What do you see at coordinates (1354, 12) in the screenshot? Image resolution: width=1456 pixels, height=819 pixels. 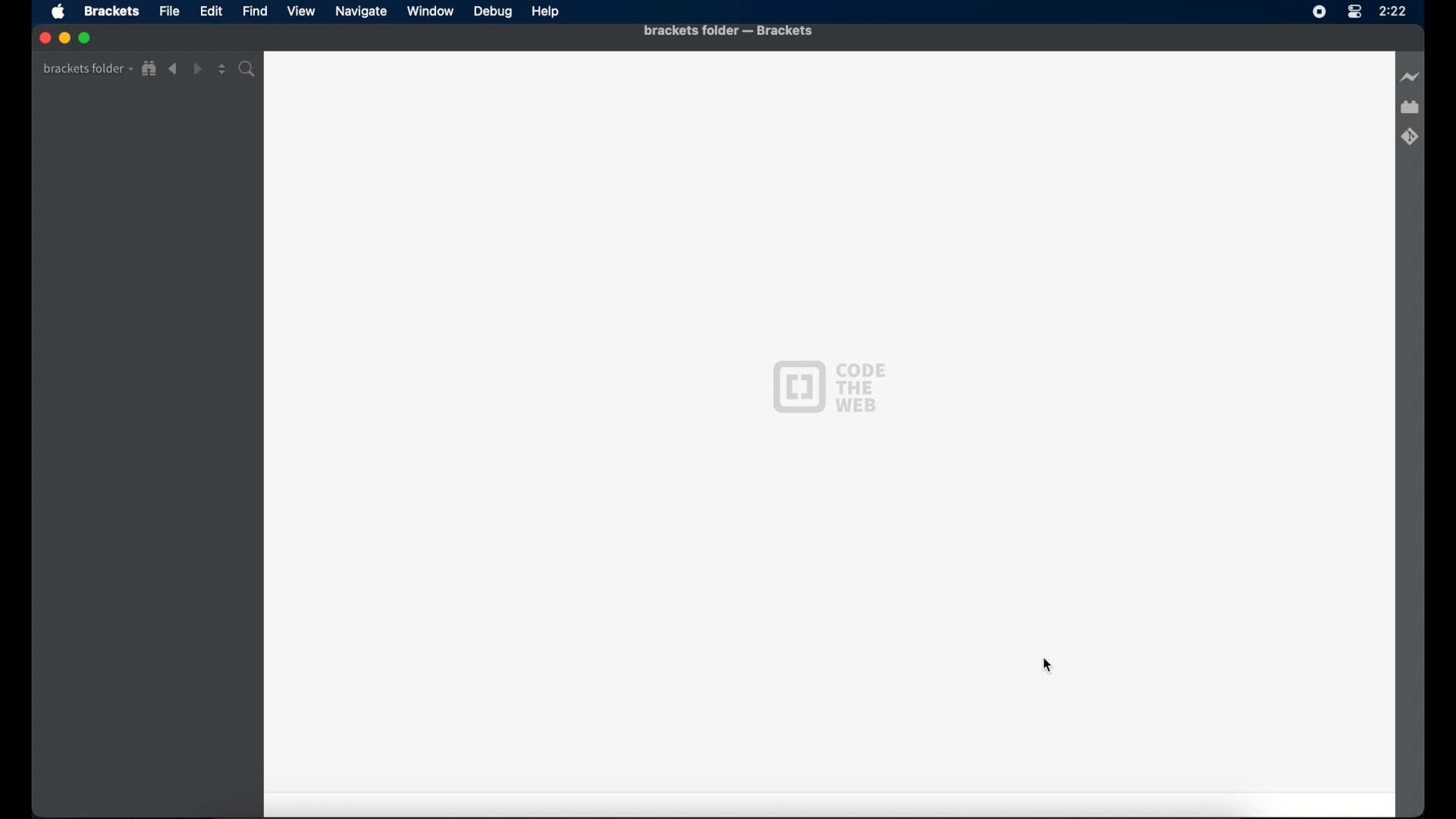 I see `control center` at bounding box center [1354, 12].